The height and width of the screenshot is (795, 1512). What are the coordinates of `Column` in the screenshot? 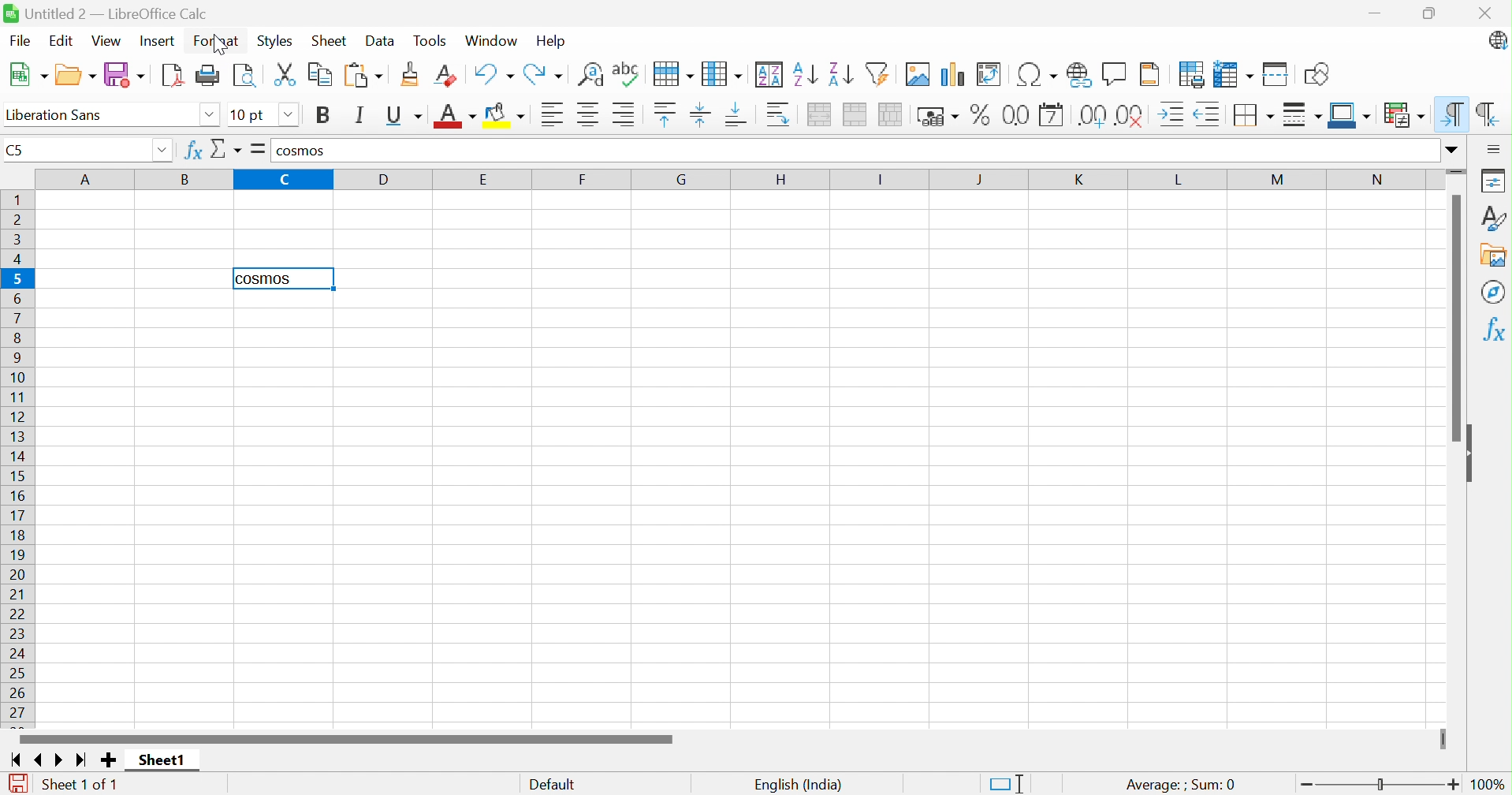 It's located at (723, 73).